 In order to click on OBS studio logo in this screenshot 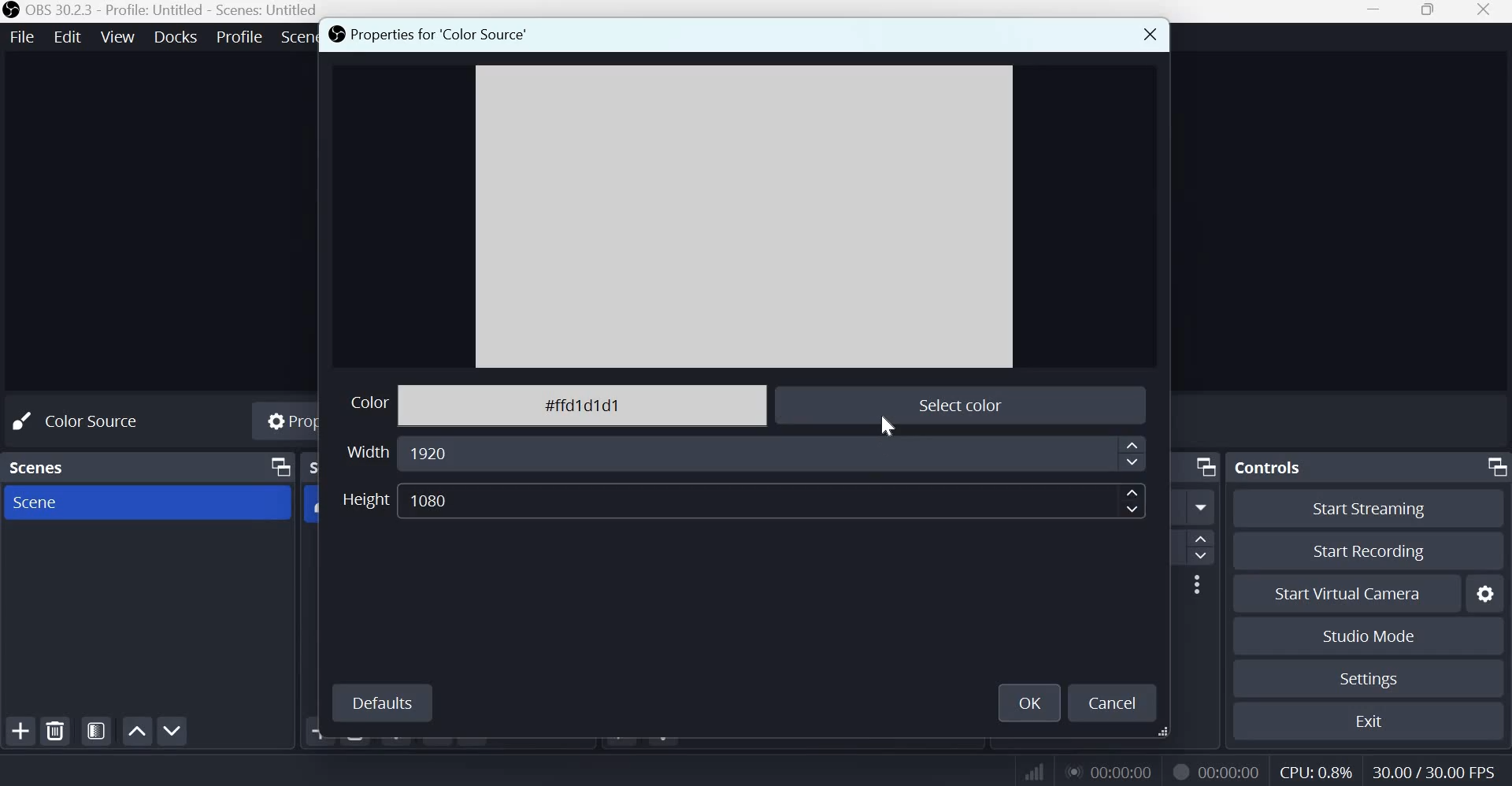, I will do `click(11, 11)`.